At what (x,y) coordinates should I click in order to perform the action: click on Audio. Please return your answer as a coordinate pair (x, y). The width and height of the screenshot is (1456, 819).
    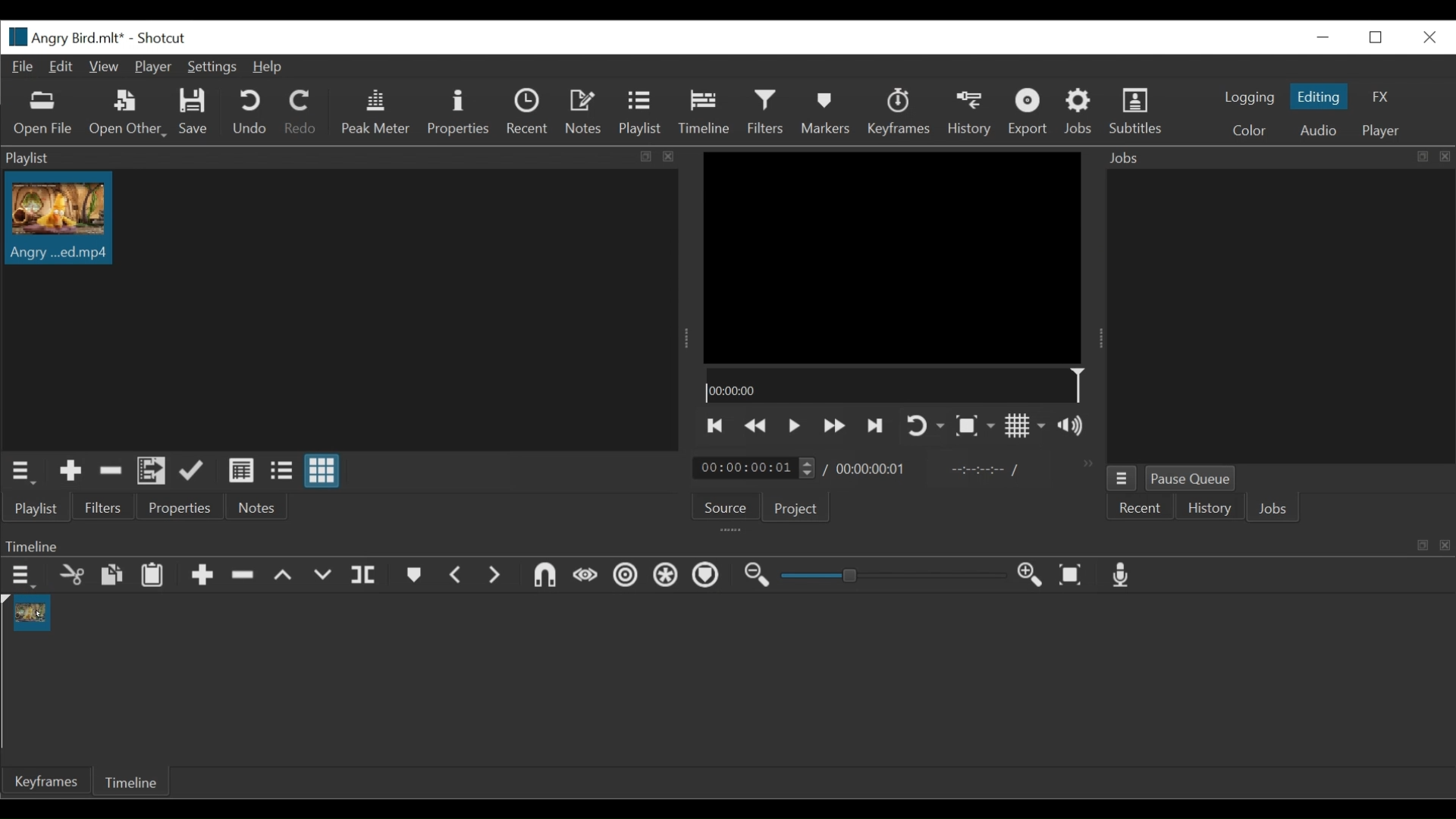
    Looking at the image, I should click on (1319, 130).